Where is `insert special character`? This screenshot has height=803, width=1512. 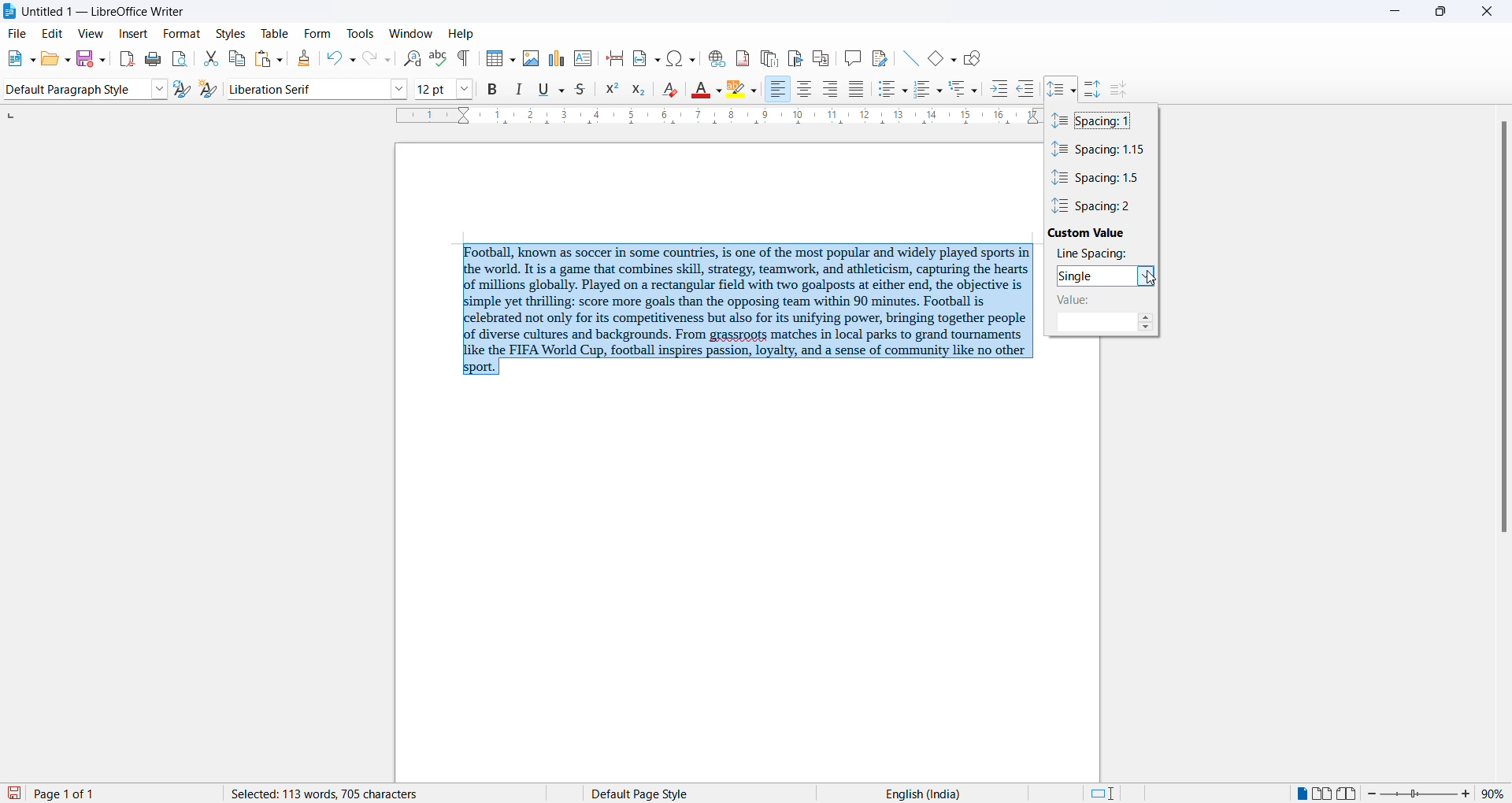 insert special character is located at coordinates (680, 60).